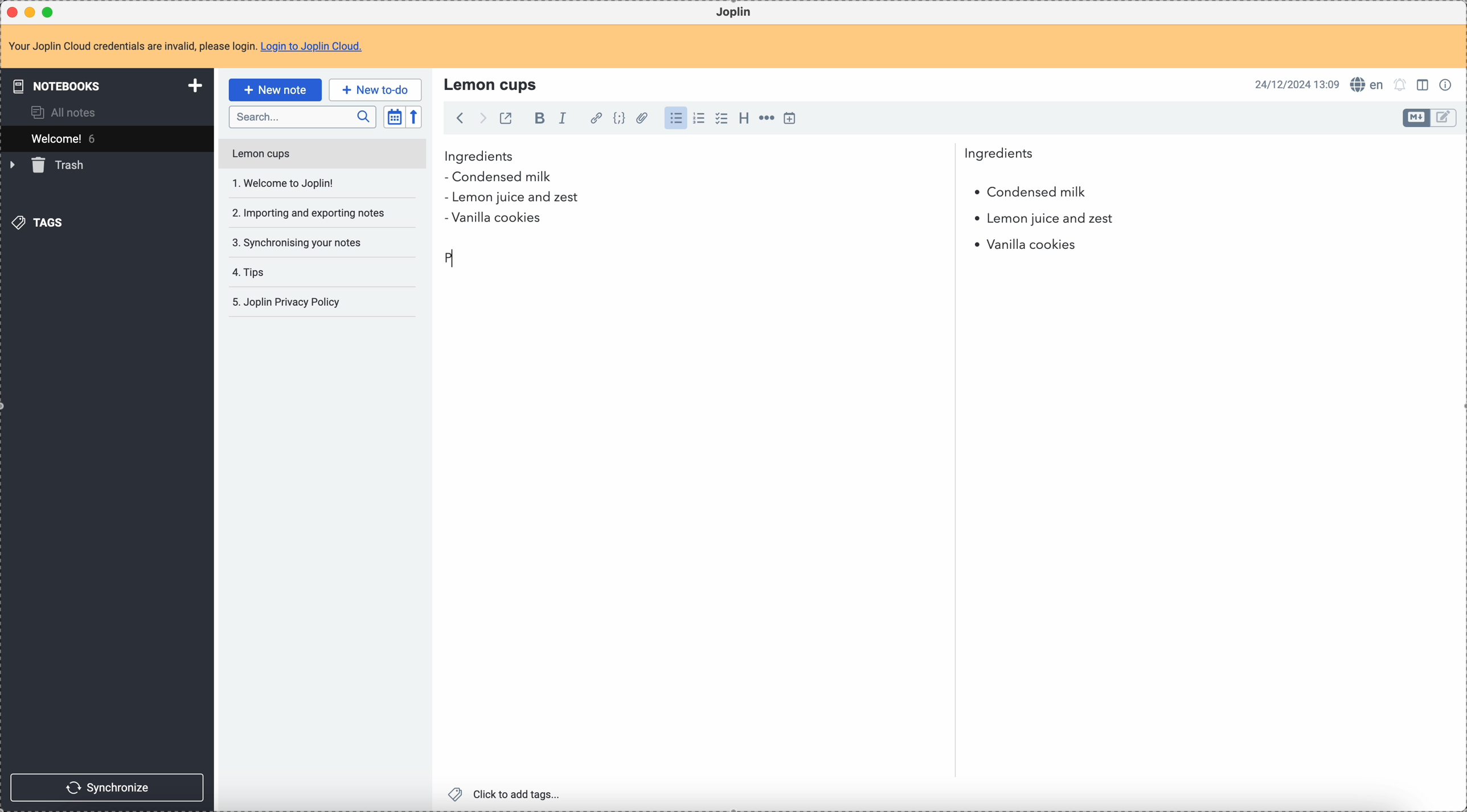 The width and height of the screenshot is (1467, 812). I want to click on numbered list, so click(700, 118).